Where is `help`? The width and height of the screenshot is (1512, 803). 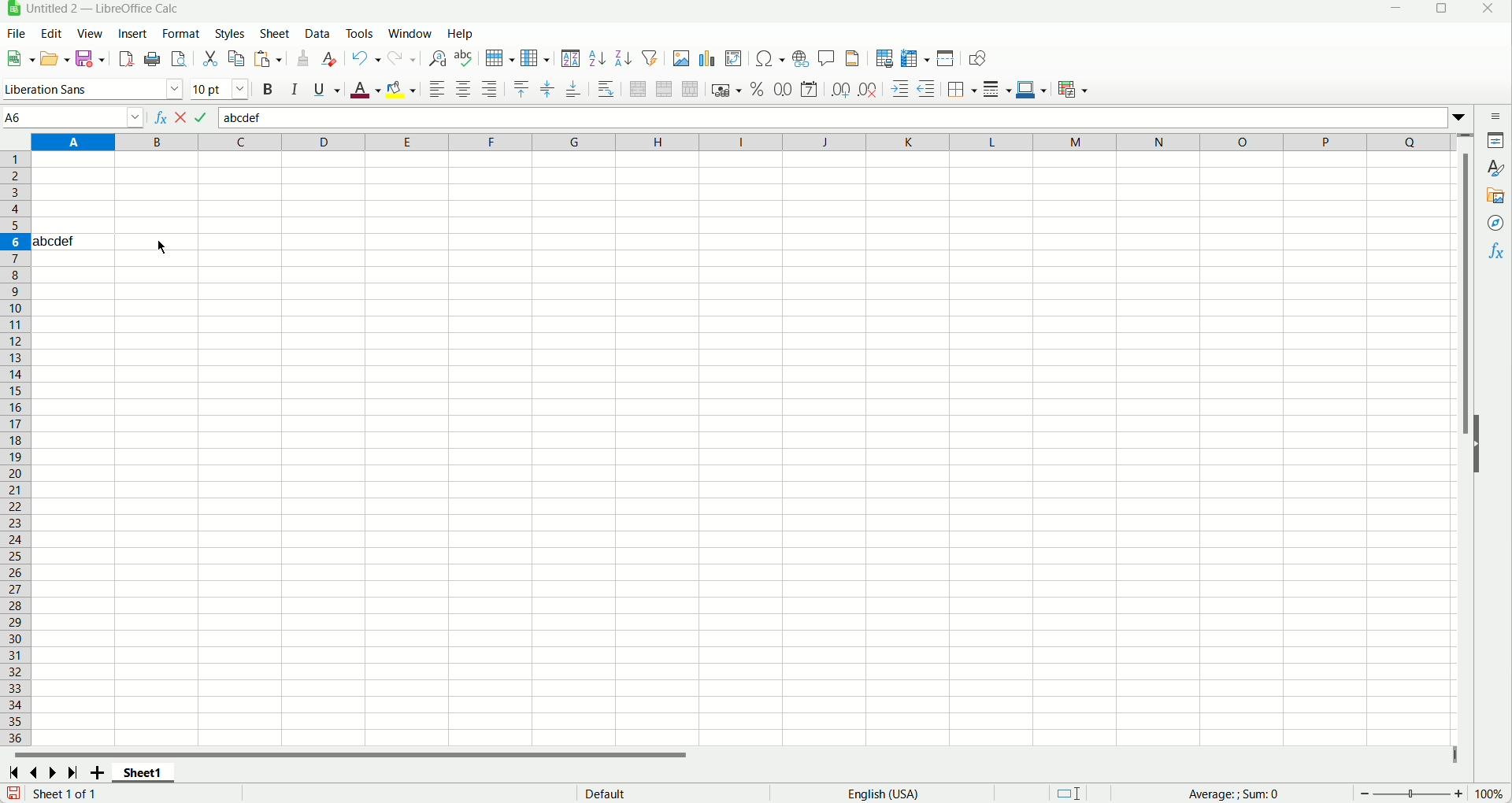 help is located at coordinates (460, 33).